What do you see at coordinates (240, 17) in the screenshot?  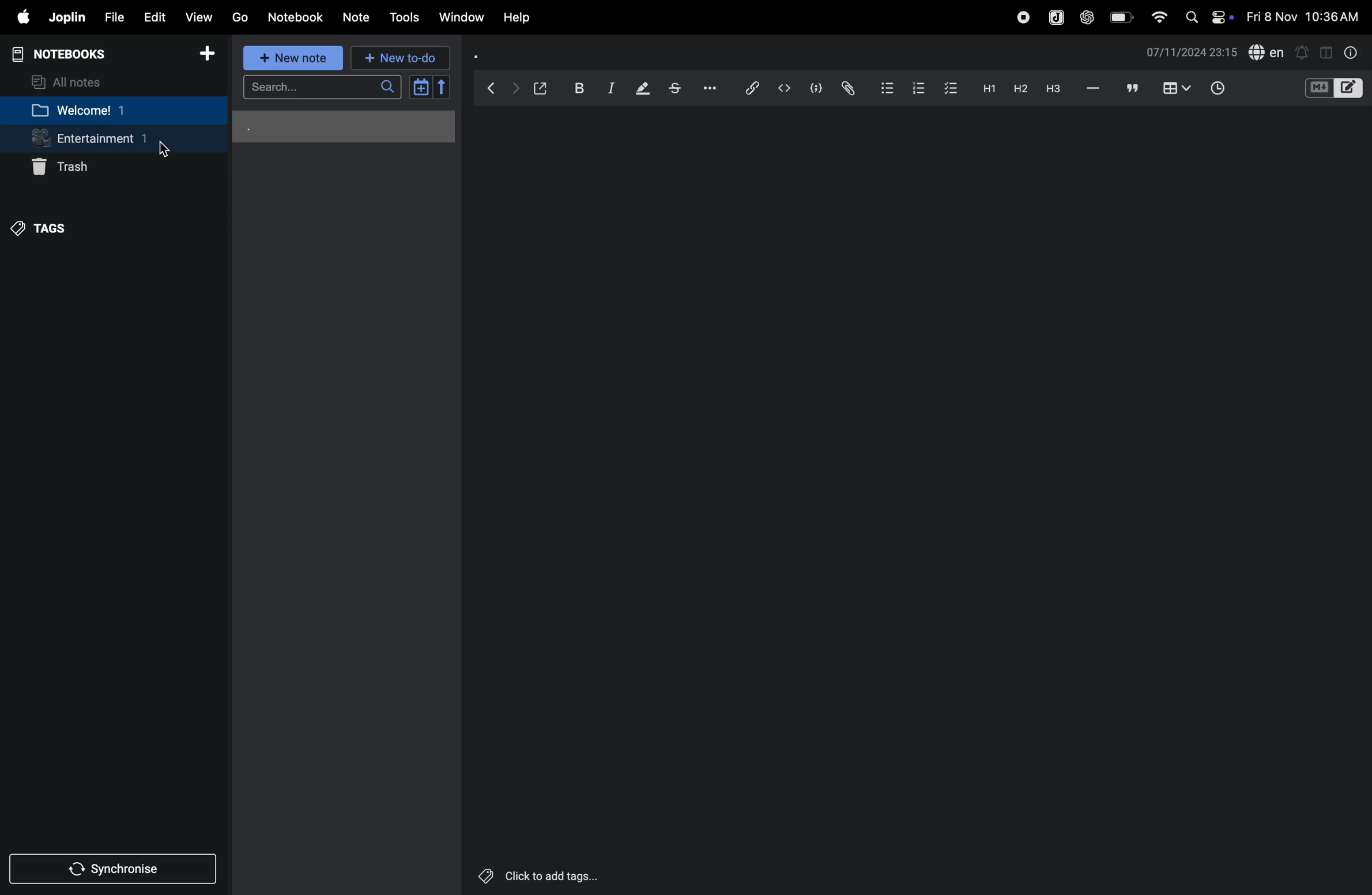 I see `go` at bounding box center [240, 17].